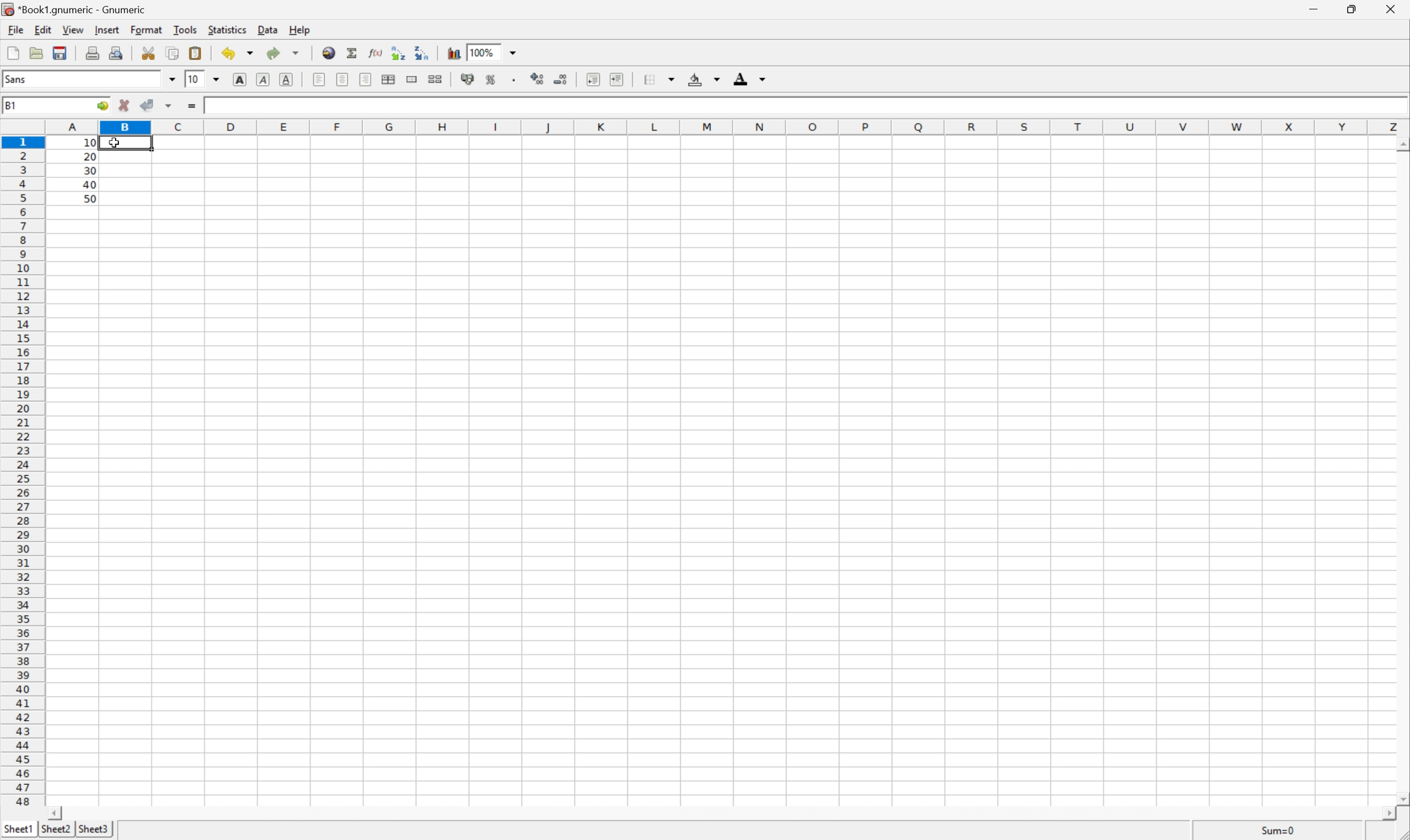  Describe the element at coordinates (174, 54) in the screenshot. I see `Copy selection` at that location.